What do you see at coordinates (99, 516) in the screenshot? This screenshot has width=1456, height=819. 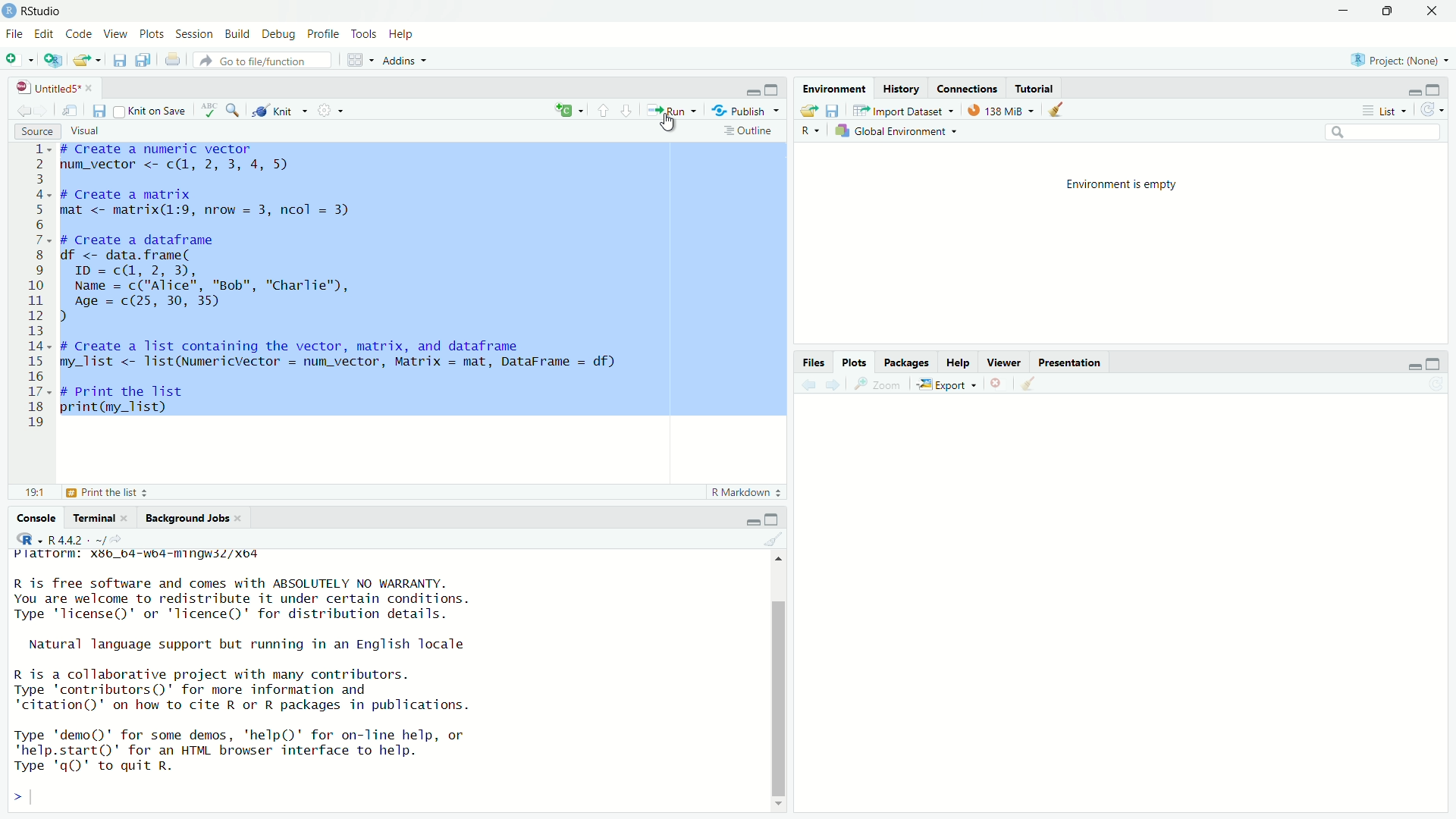 I see `Terminal` at bounding box center [99, 516].